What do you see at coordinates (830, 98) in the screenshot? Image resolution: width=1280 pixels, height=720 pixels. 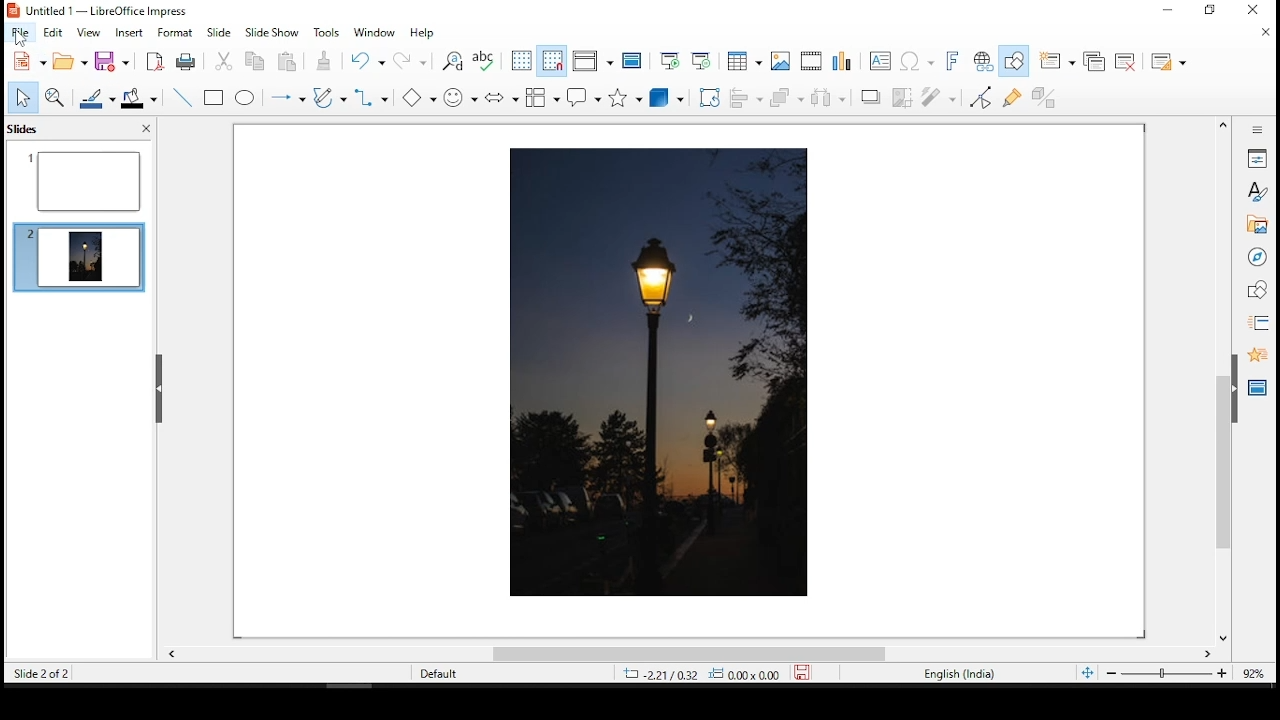 I see `distribute` at bounding box center [830, 98].